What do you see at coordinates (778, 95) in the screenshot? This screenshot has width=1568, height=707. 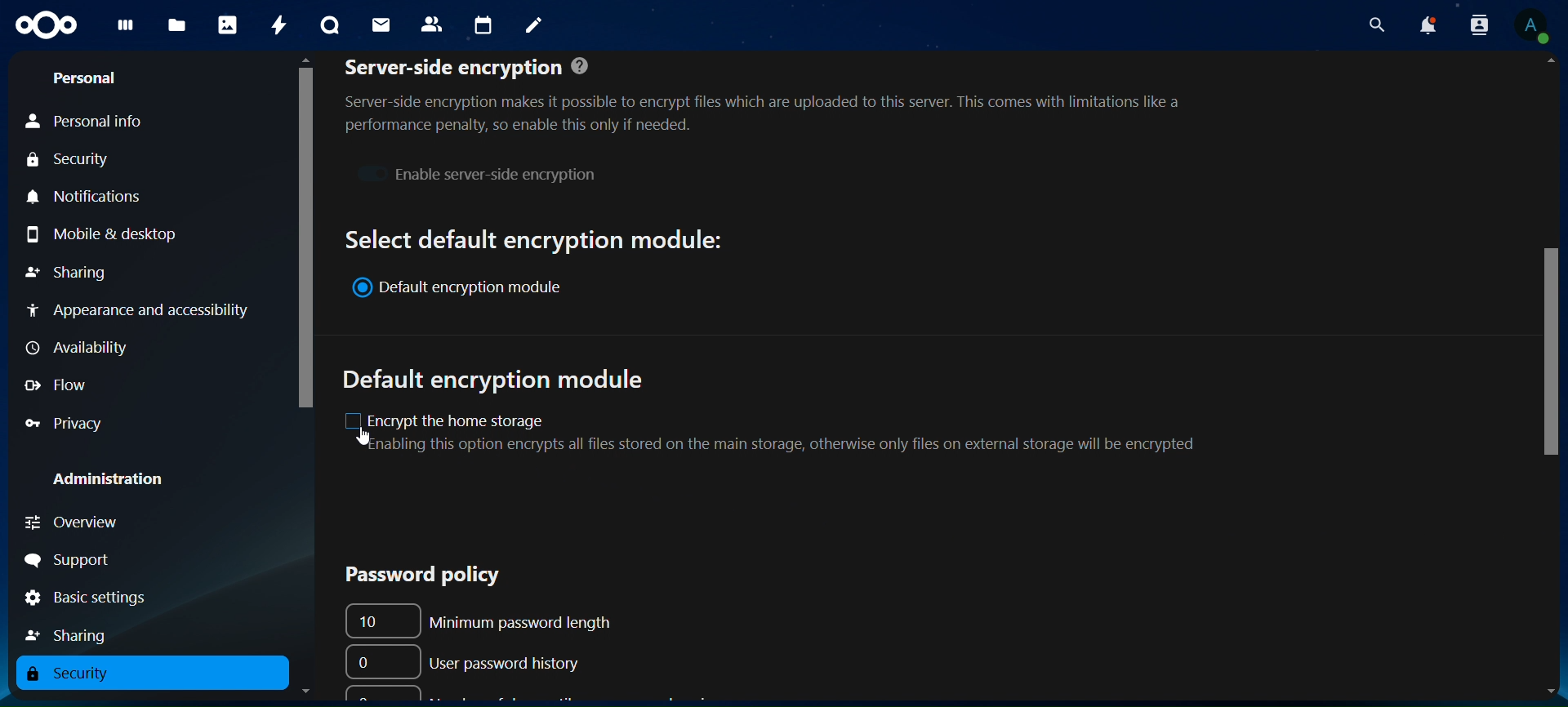 I see `server side encryption` at bounding box center [778, 95].